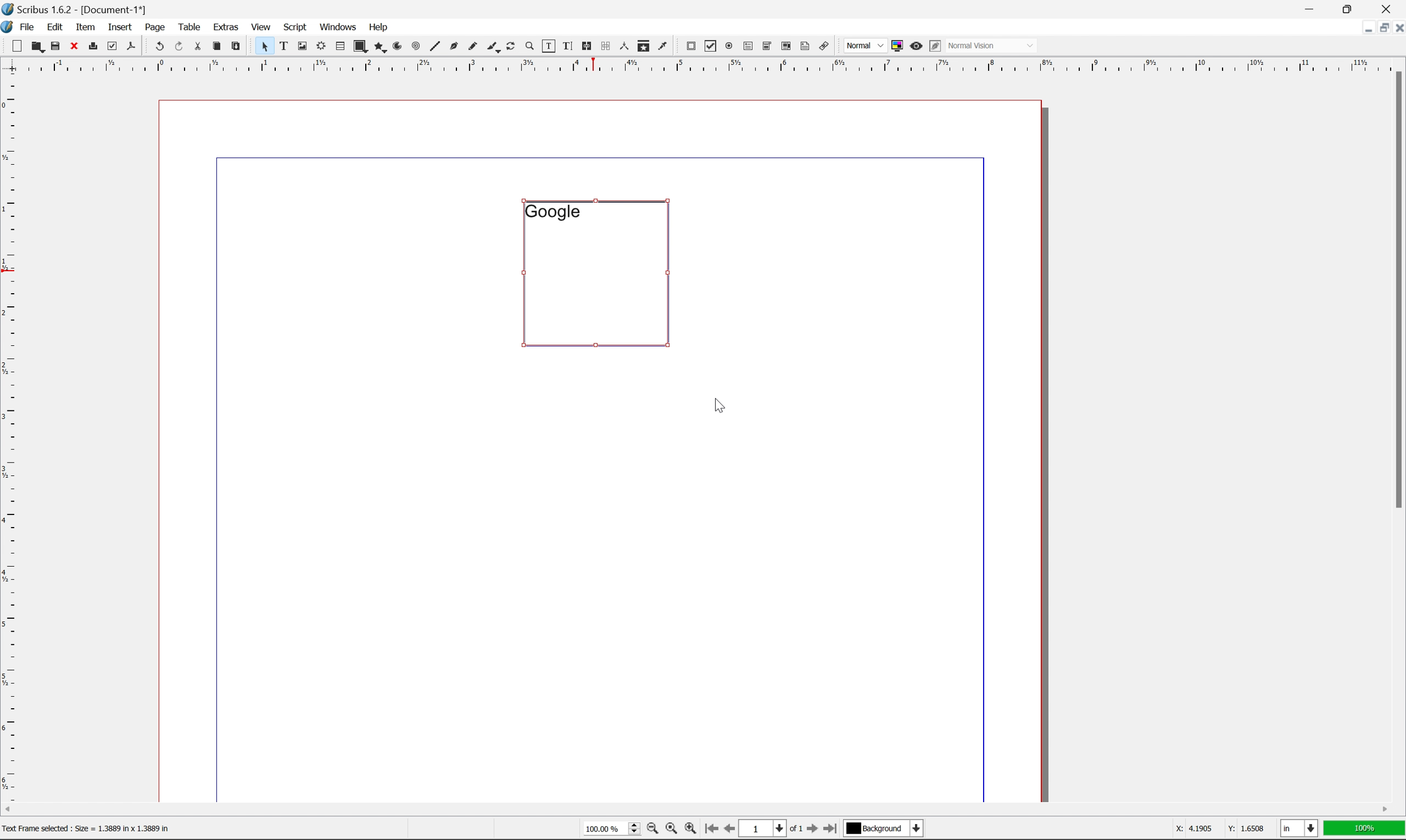  What do you see at coordinates (687, 45) in the screenshot?
I see `pdf push button` at bounding box center [687, 45].